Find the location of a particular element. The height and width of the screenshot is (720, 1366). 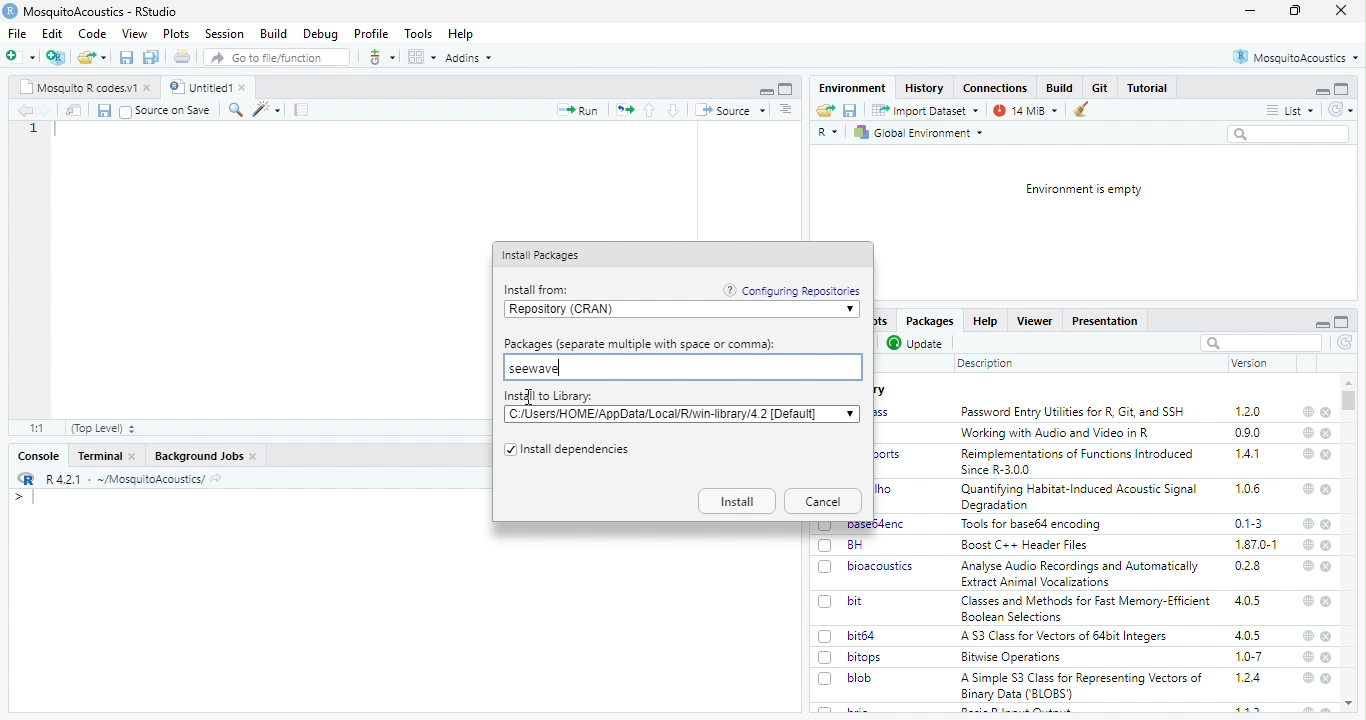

close is located at coordinates (149, 88).